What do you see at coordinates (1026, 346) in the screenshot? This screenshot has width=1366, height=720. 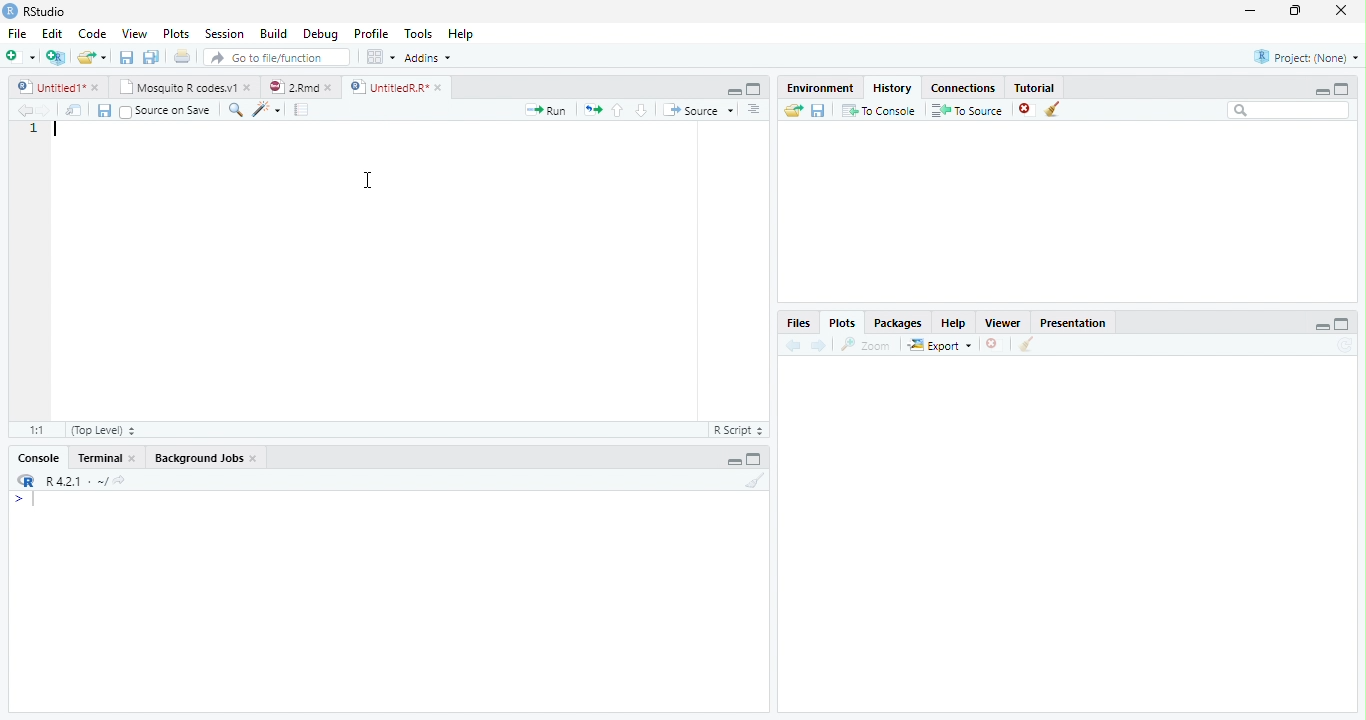 I see `clear` at bounding box center [1026, 346].